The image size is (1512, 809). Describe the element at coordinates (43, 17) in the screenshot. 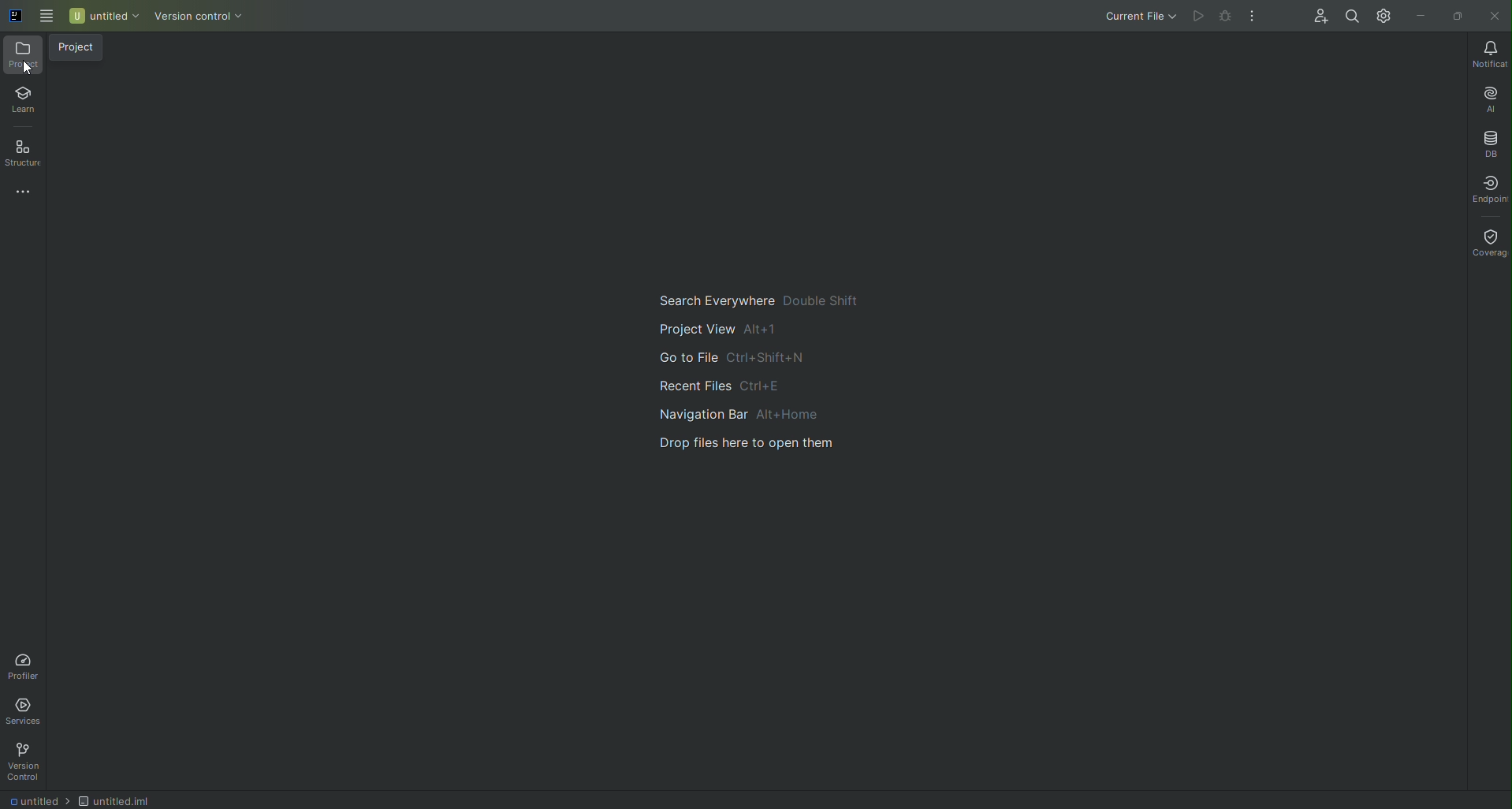

I see `Main Menu` at that location.